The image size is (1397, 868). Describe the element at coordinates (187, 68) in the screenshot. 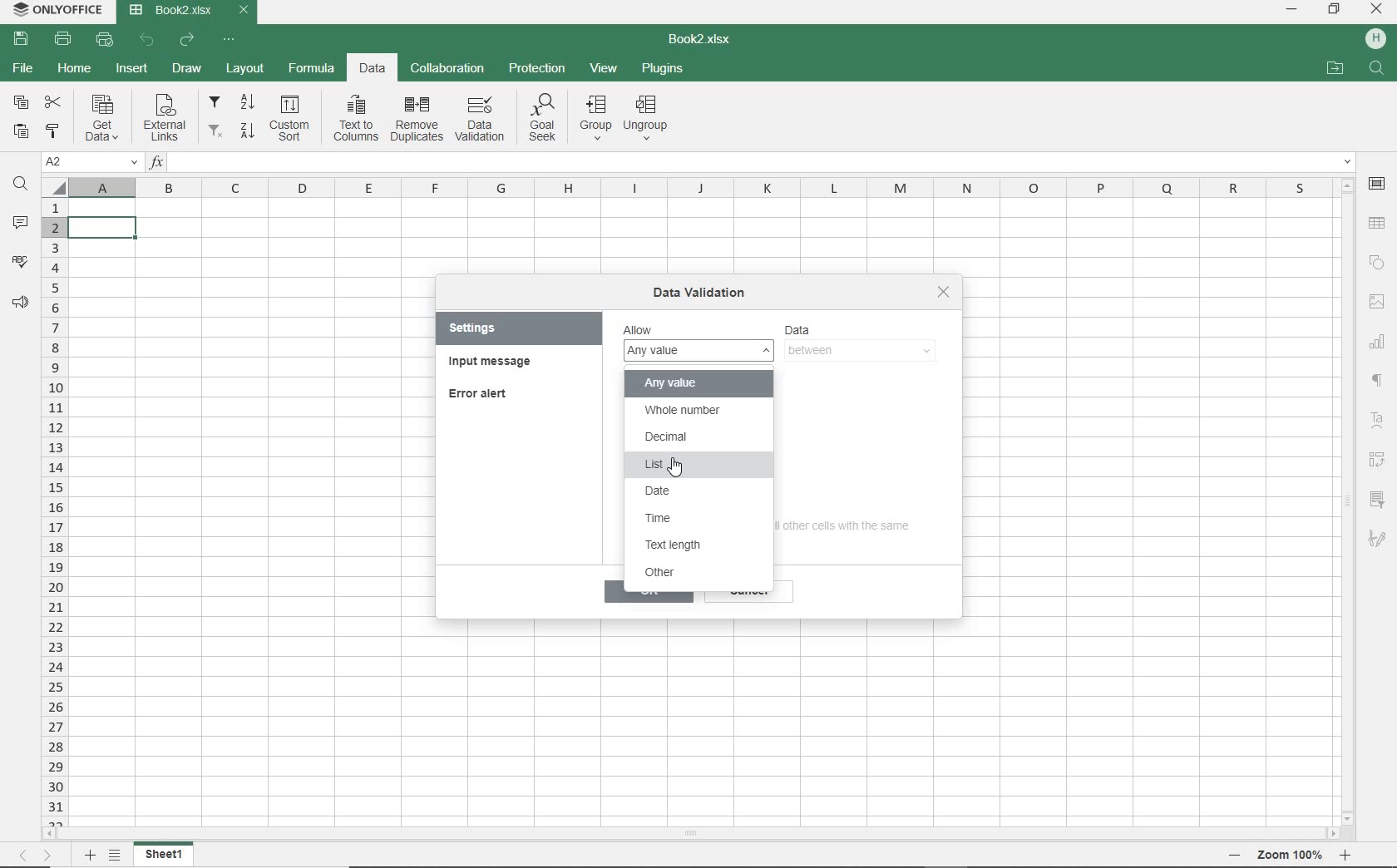

I see `DRAW` at that location.